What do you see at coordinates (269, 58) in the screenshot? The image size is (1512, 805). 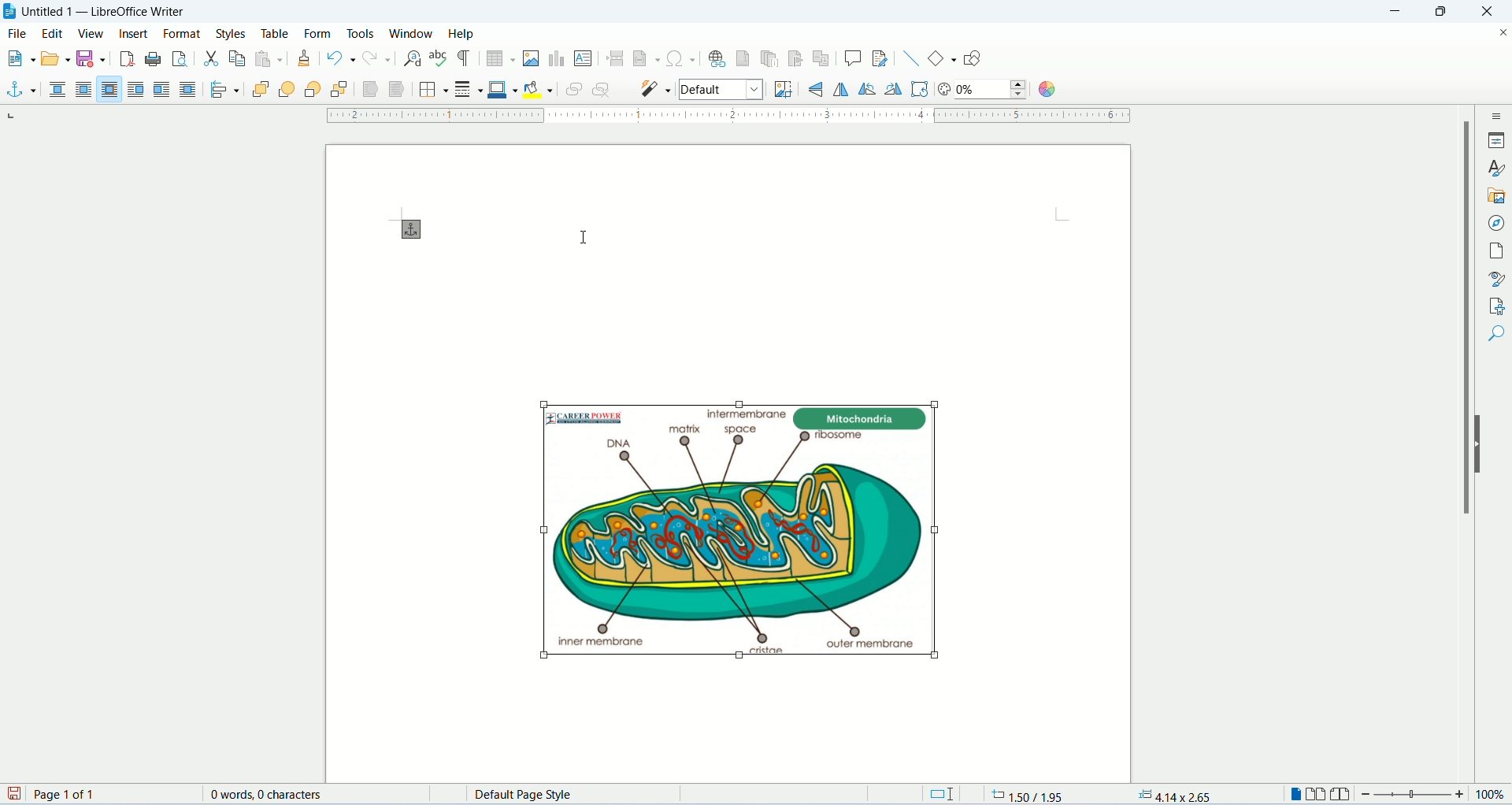 I see `paste` at bounding box center [269, 58].